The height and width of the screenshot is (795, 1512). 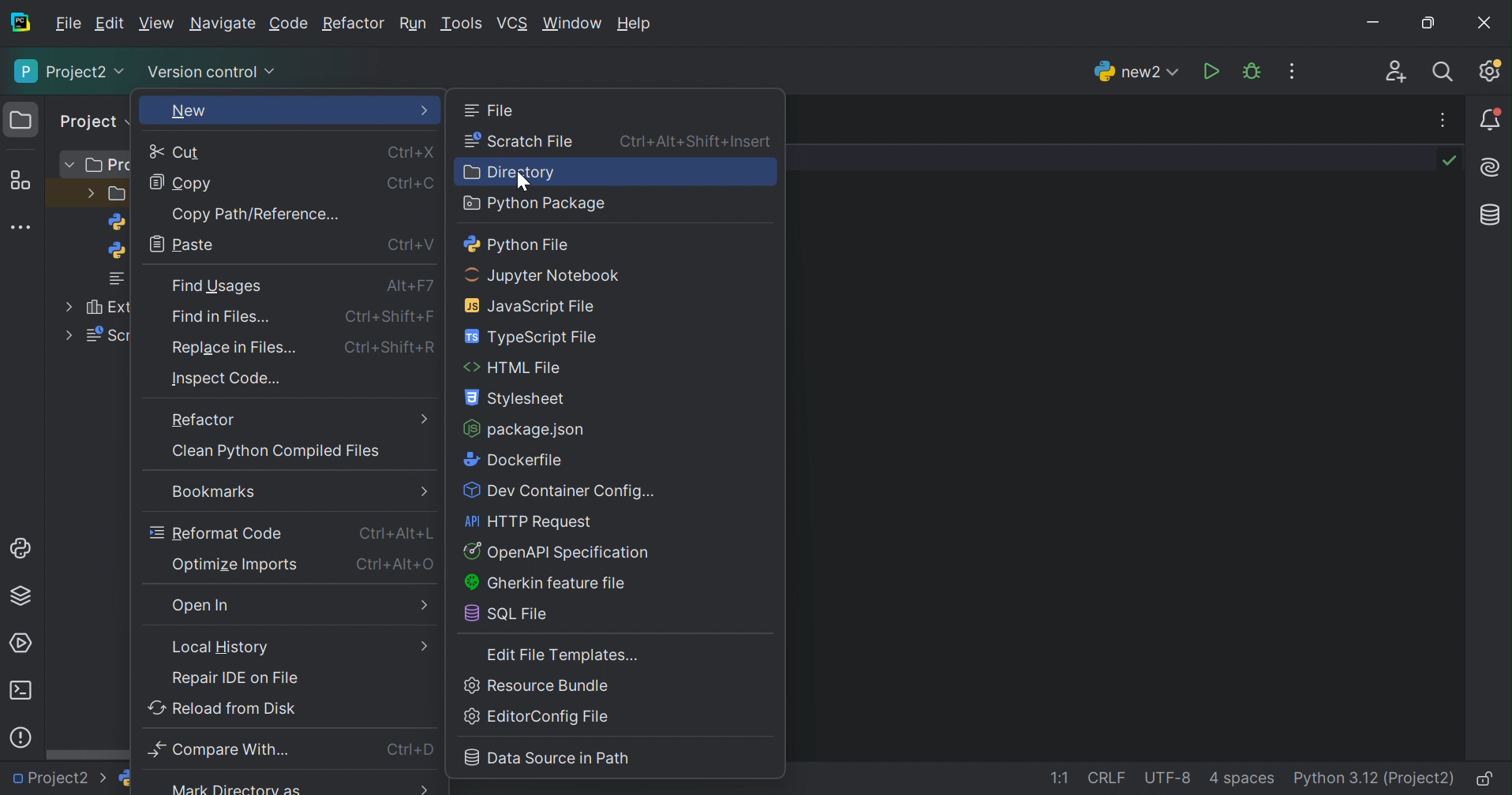 I want to click on Directory, so click(x=508, y=173).